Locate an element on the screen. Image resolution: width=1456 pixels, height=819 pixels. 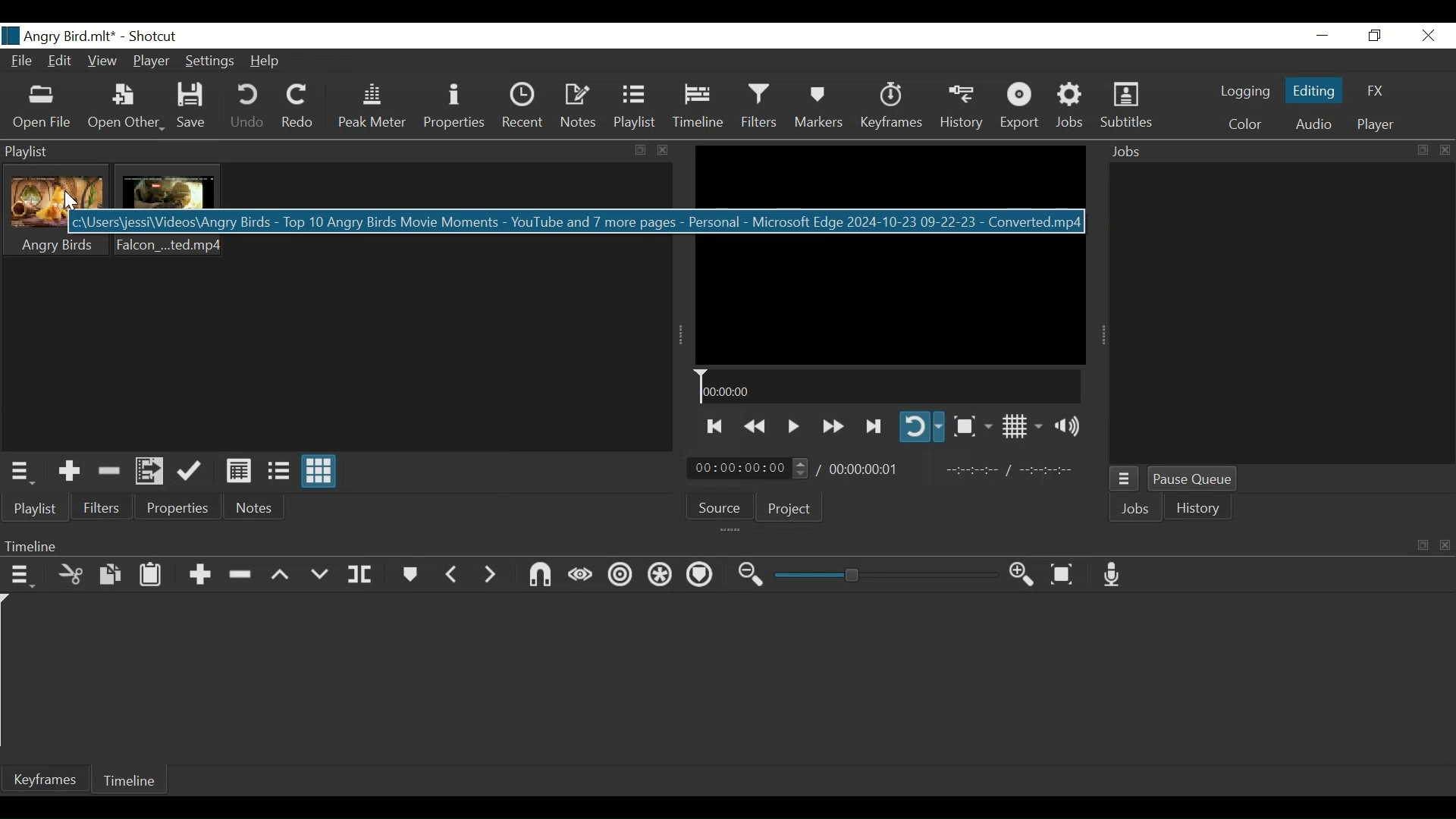
Project is located at coordinates (790, 511).